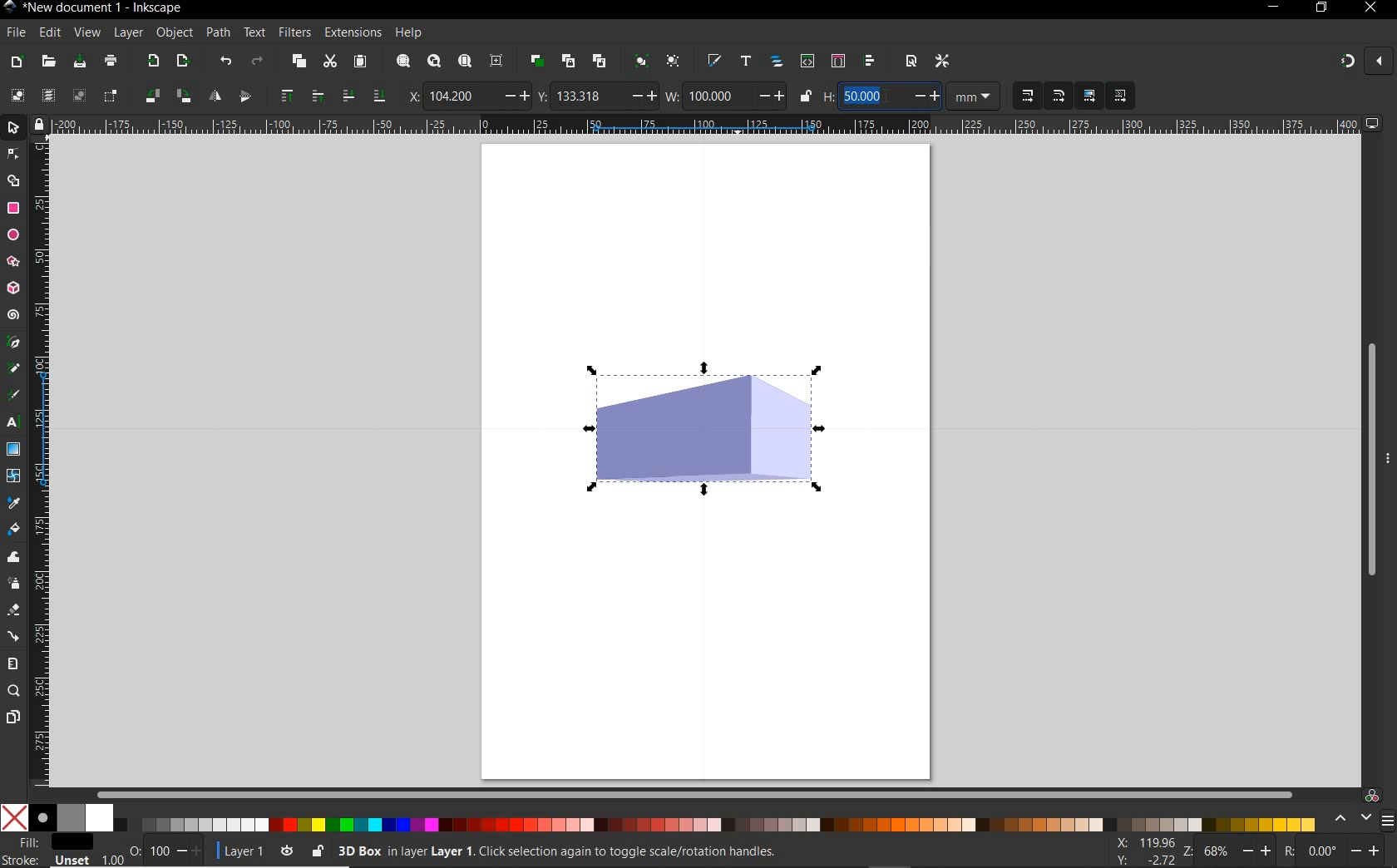  I want to click on ungroup, so click(675, 62).